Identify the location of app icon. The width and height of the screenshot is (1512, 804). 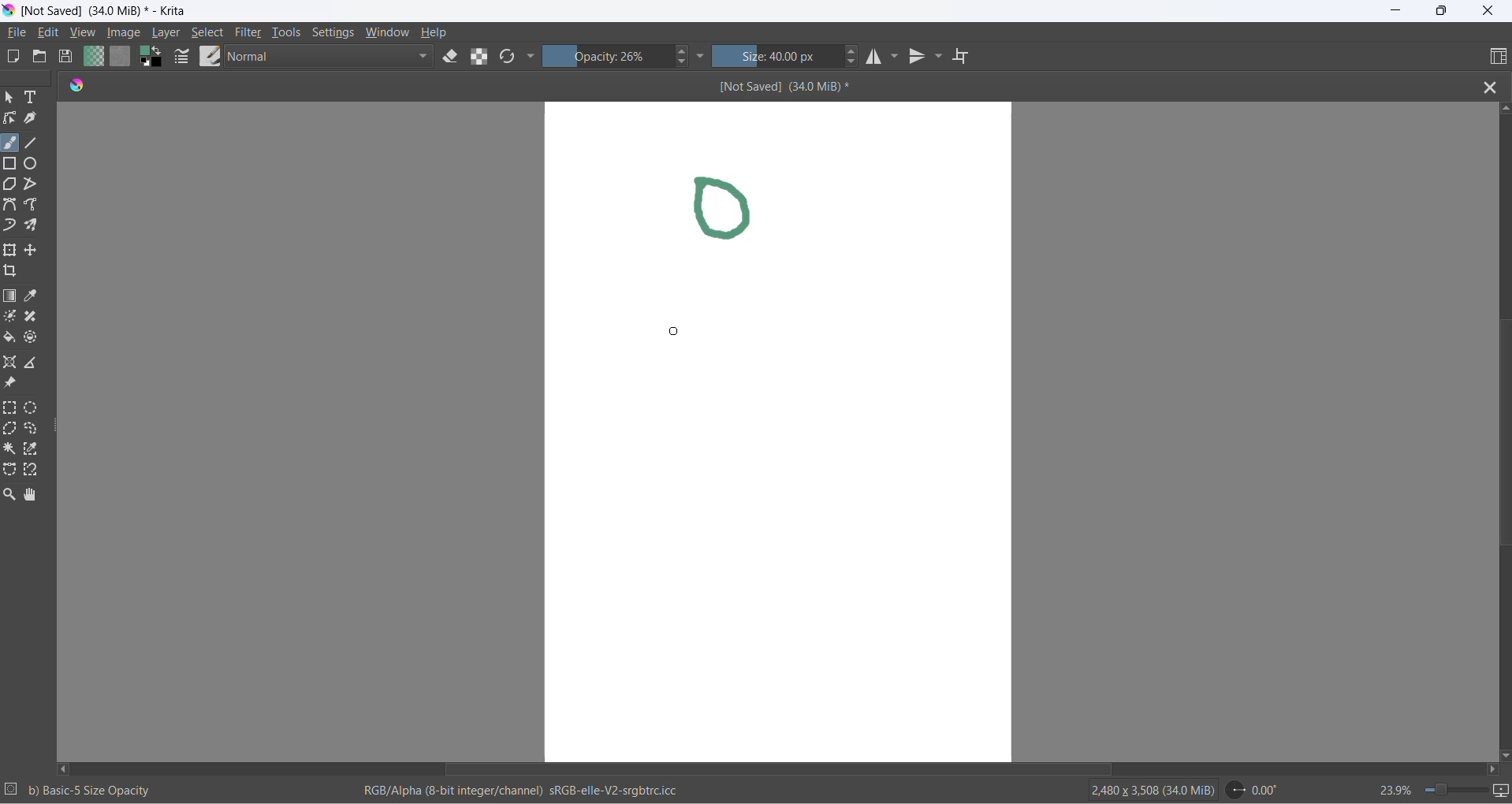
(79, 86).